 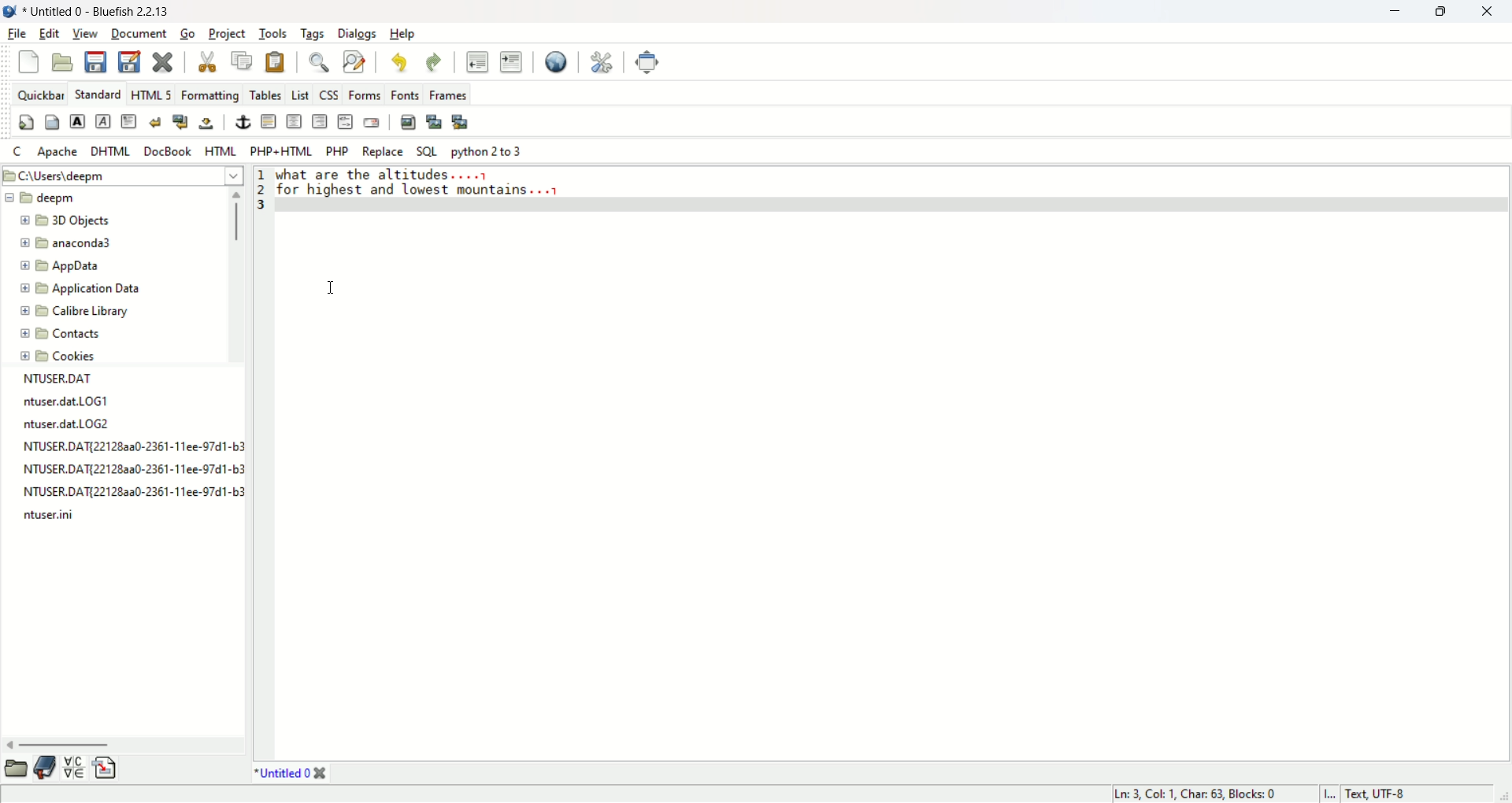 I want to click on advanced find and replace, so click(x=356, y=63).